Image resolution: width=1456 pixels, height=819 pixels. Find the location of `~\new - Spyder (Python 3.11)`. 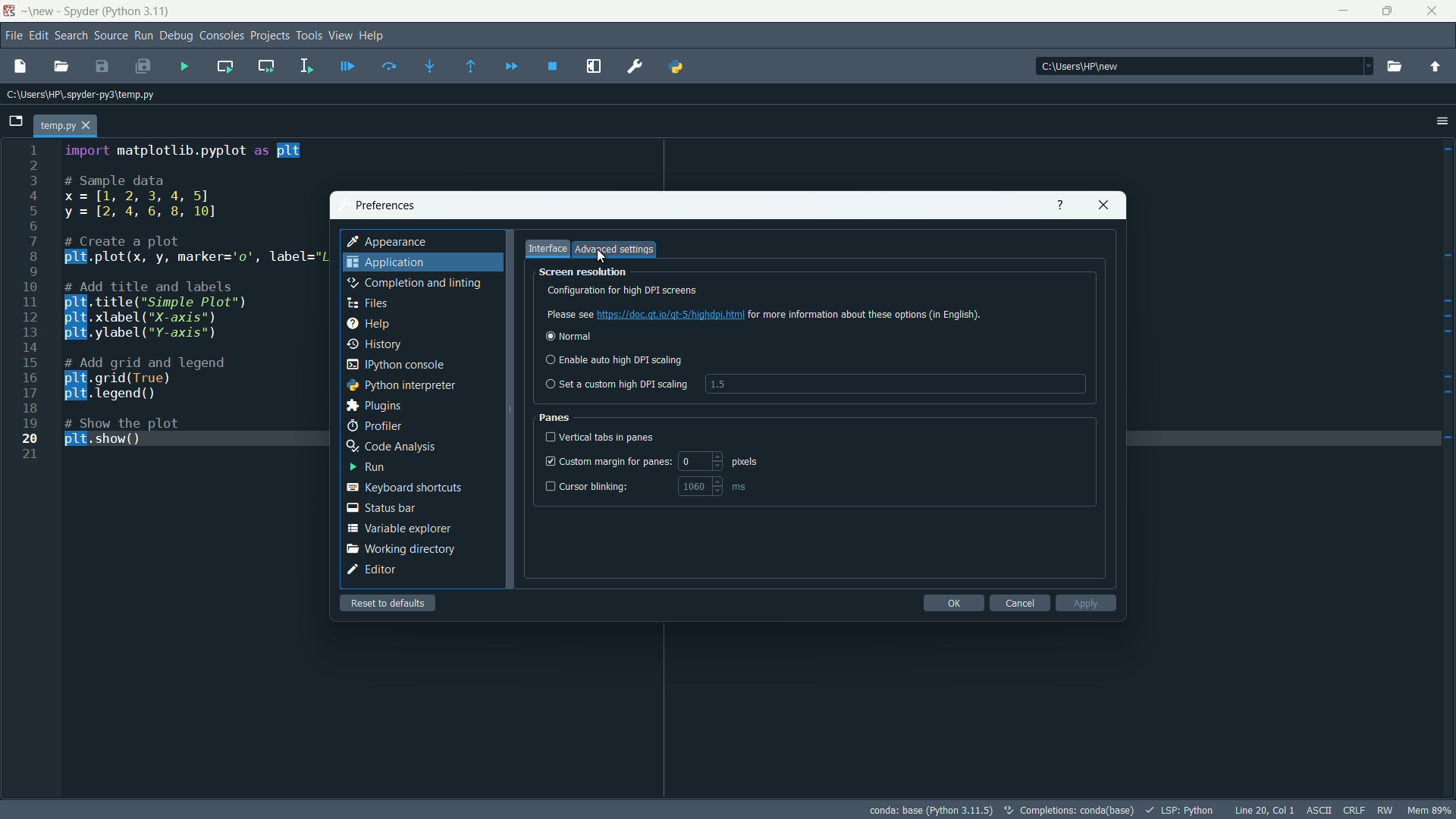

~\new - Spyder (Python 3.11) is located at coordinates (96, 11).